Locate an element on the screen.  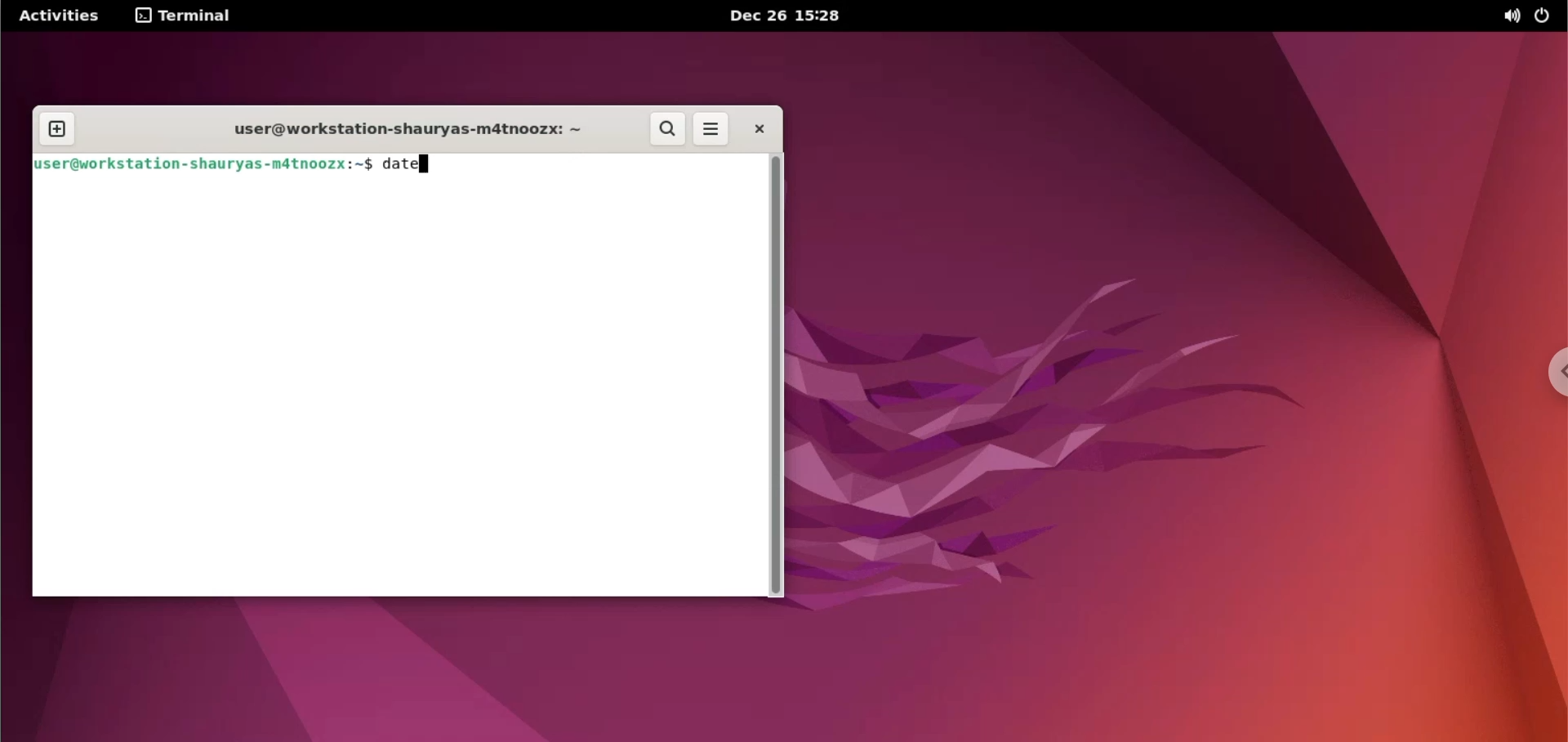
Dec 26 15:28 is located at coordinates (782, 16).